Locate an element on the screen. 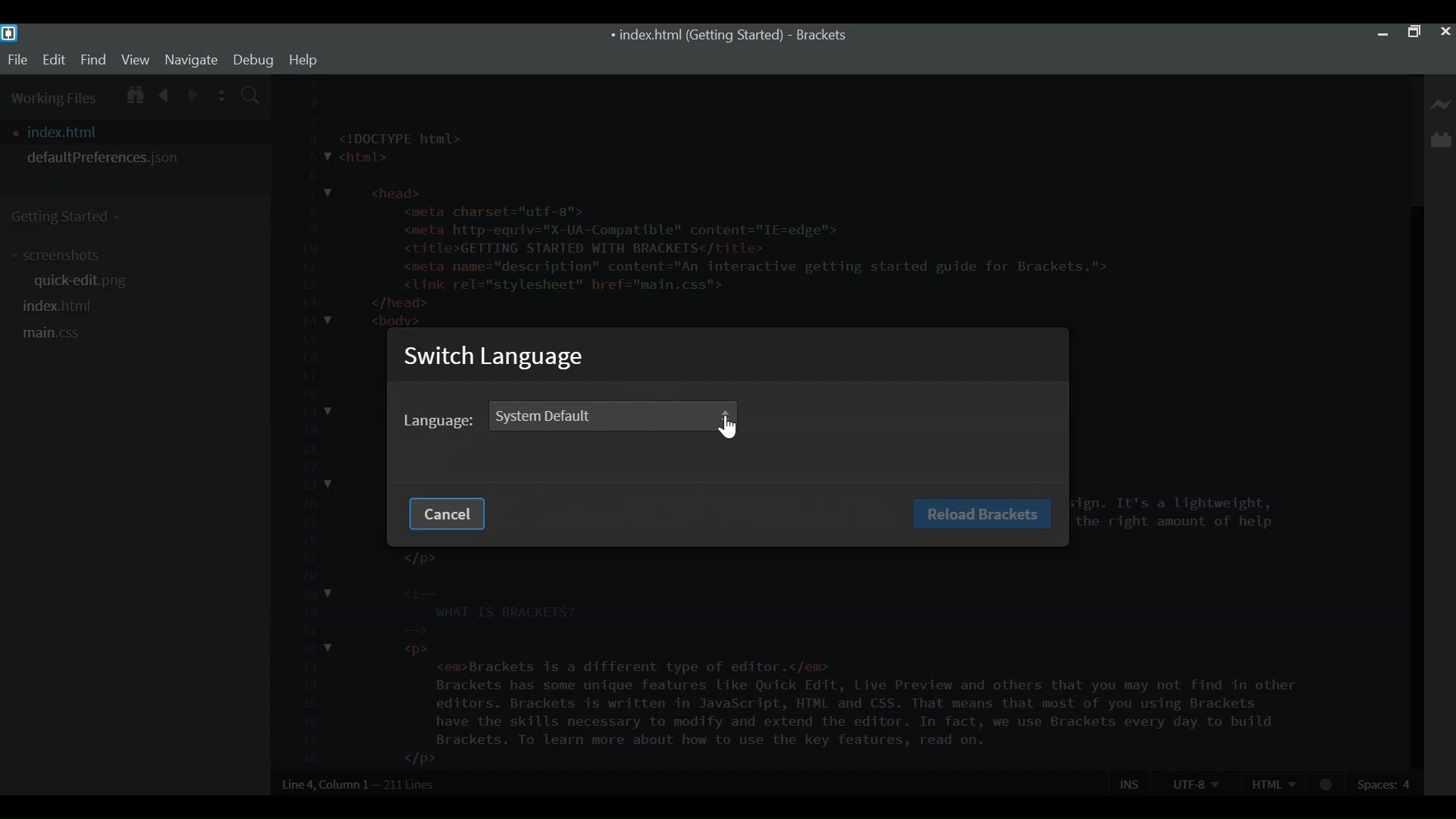  minimize is located at coordinates (1382, 32).